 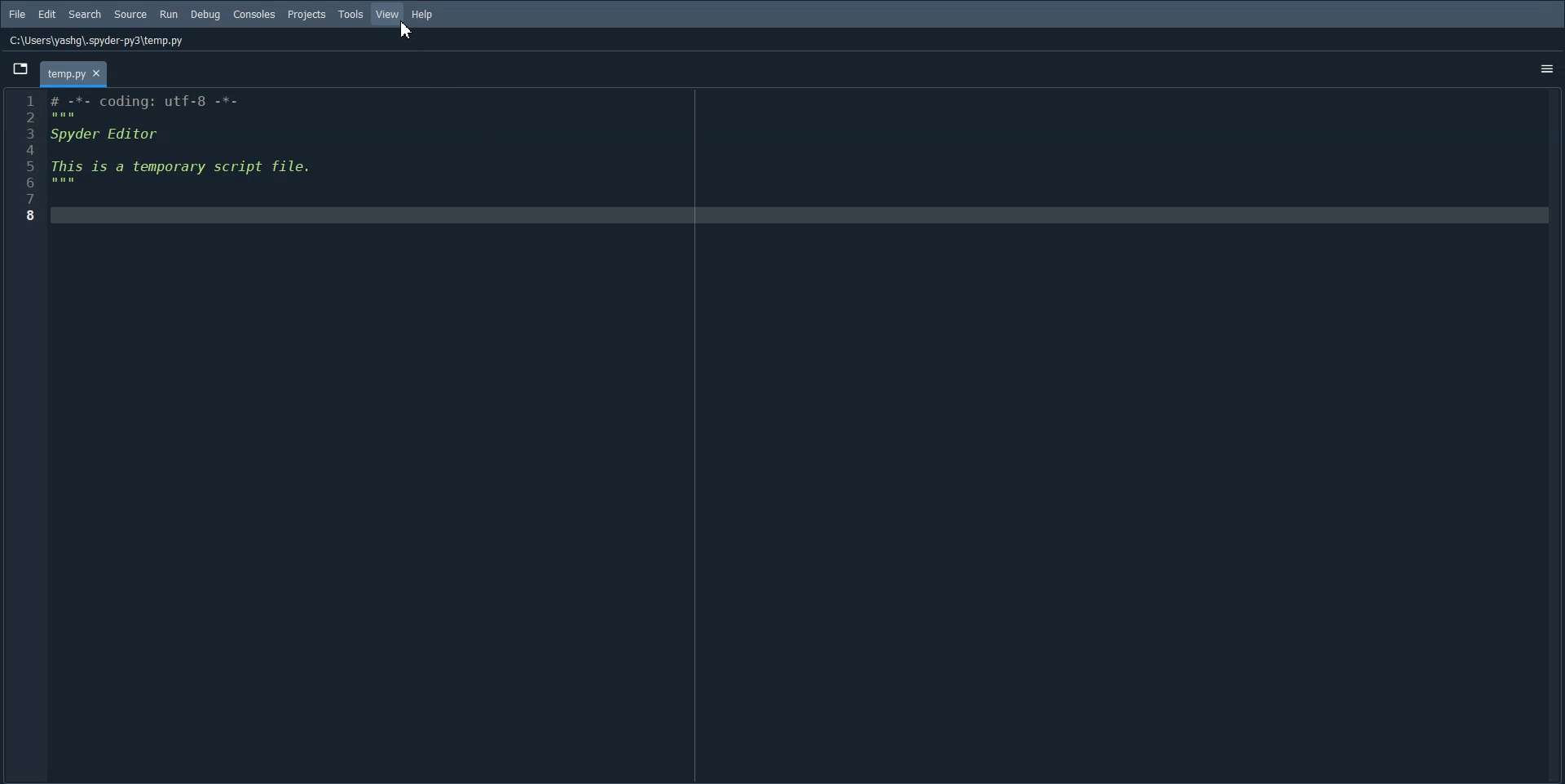 I want to click on View, so click(x=388, y=15).